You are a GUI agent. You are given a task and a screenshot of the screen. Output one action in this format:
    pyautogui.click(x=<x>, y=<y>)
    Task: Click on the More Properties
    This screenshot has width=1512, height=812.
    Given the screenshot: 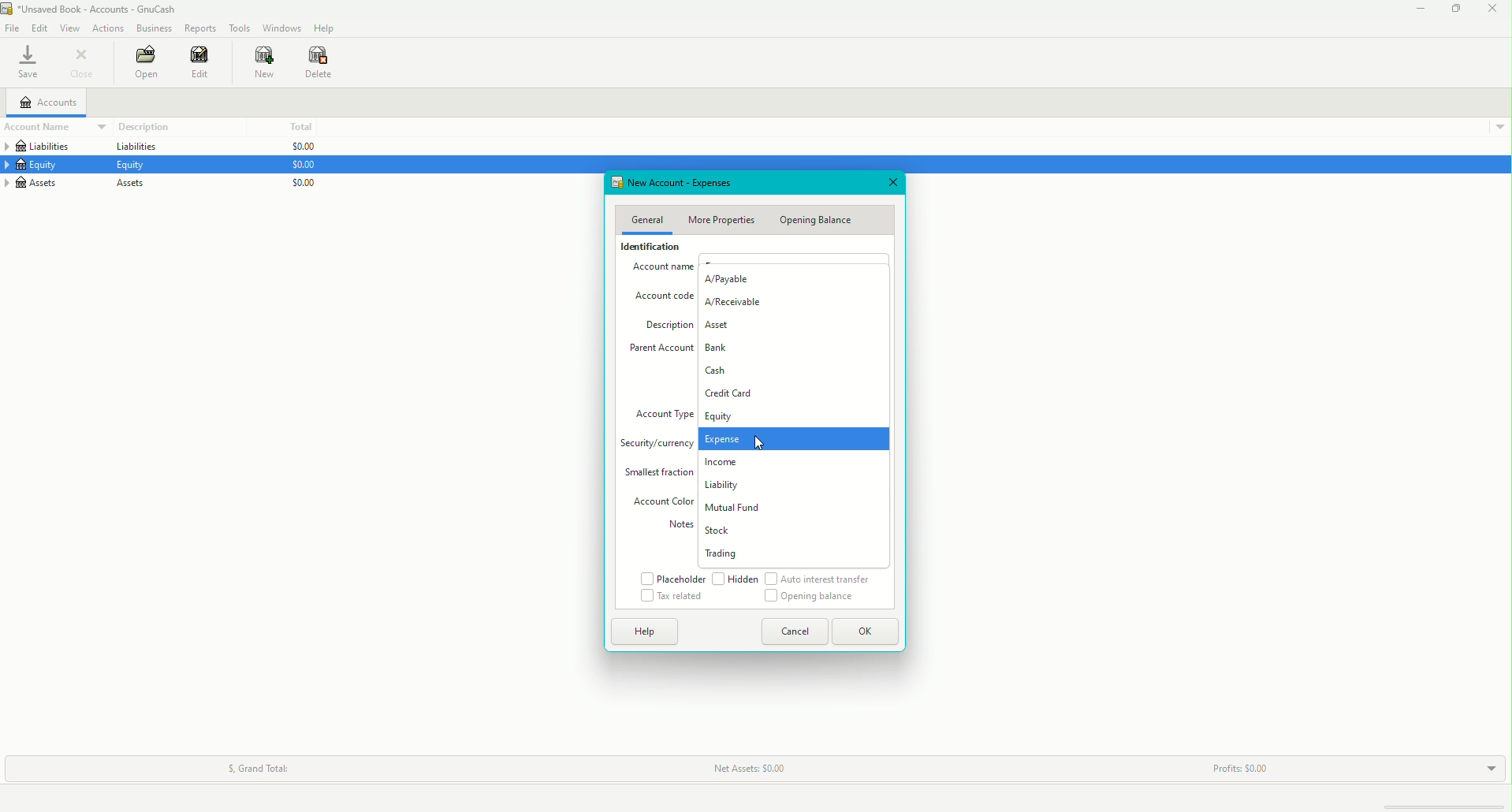 What is the action you would take?
    pyautogui.click(x=721, y=219)
    